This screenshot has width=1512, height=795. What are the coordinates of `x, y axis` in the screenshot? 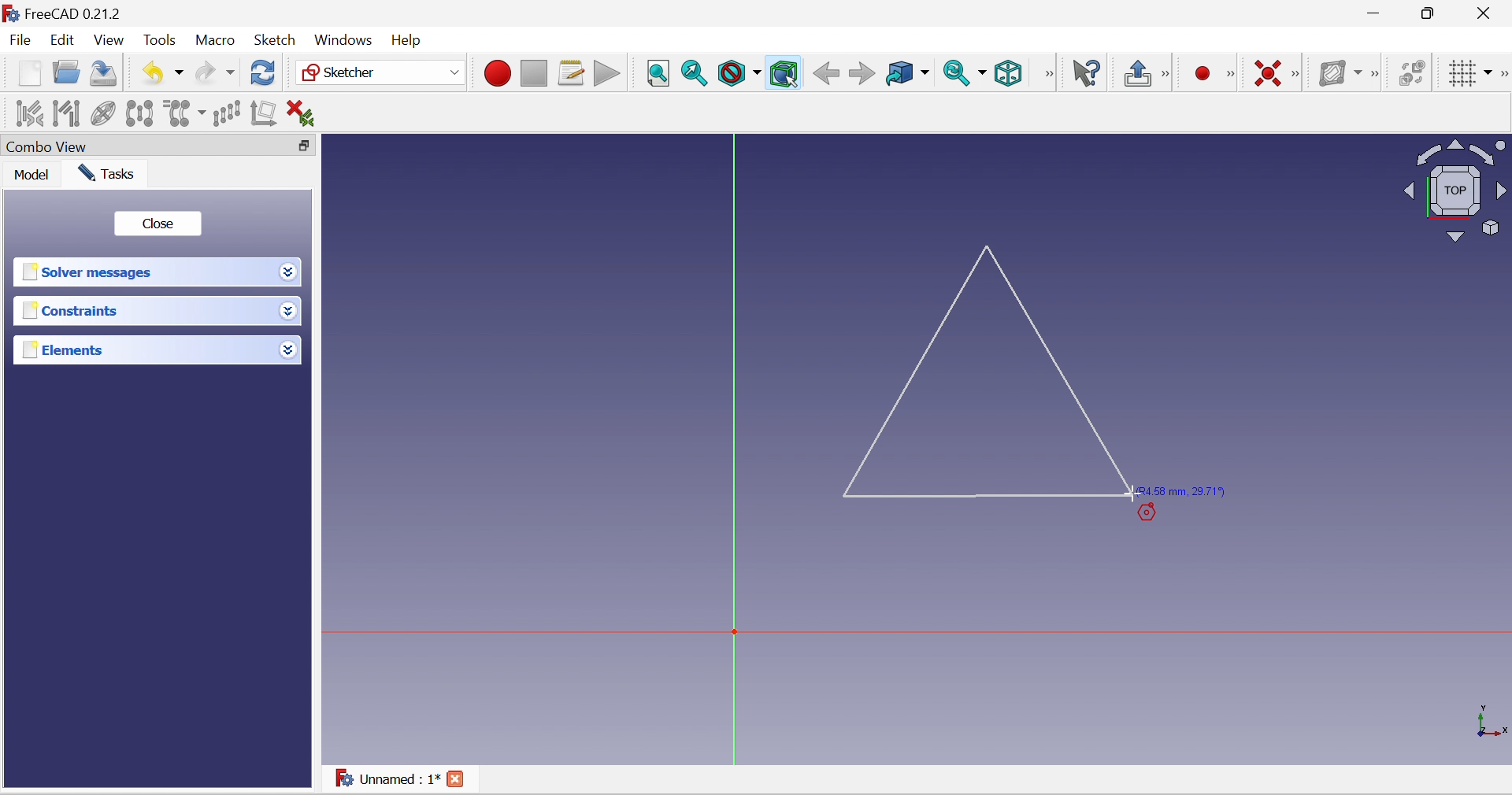 It's located at (1488, 720).